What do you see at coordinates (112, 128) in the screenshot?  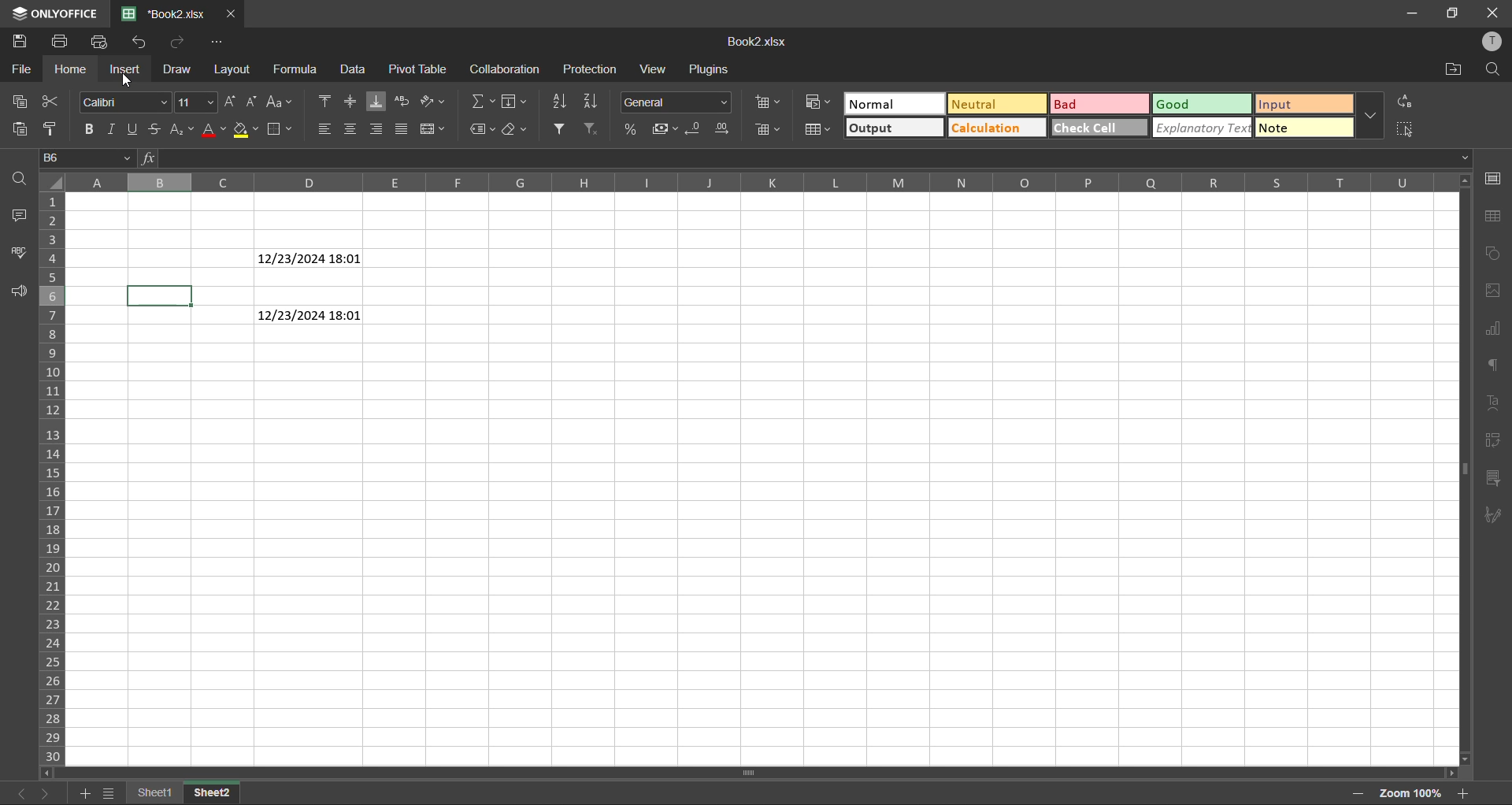 I see `italic` at bounding box center [112, 128].